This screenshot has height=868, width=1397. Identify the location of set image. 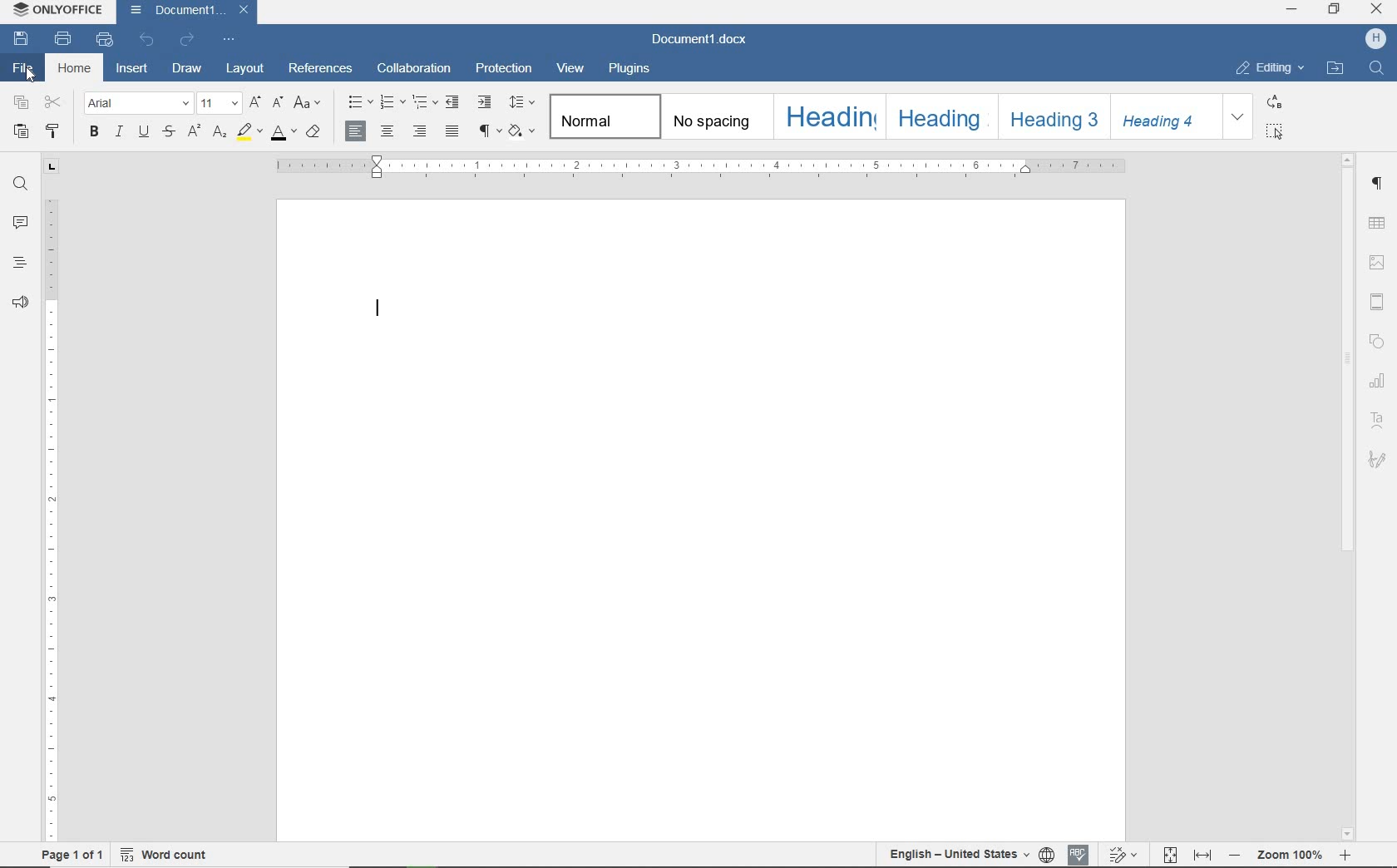
(1378, 262).